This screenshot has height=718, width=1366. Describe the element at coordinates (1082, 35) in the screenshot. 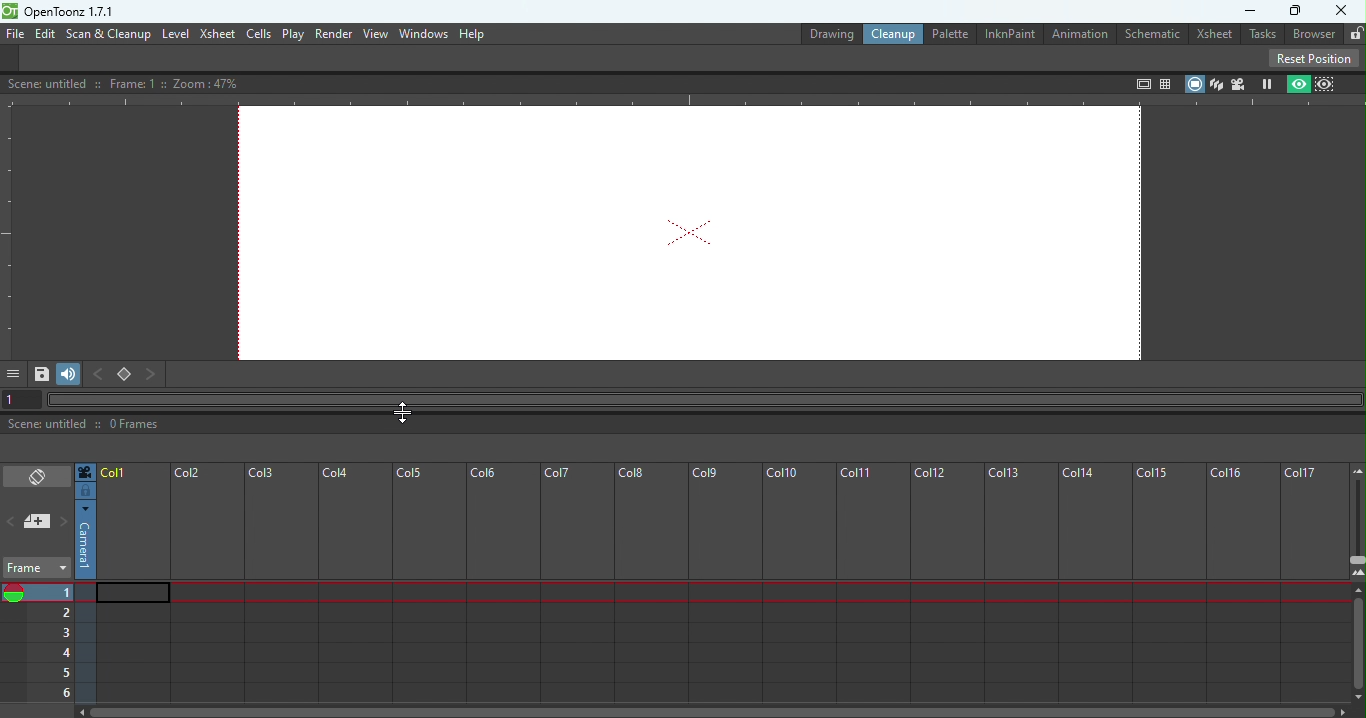

I see `Animation` at that location.